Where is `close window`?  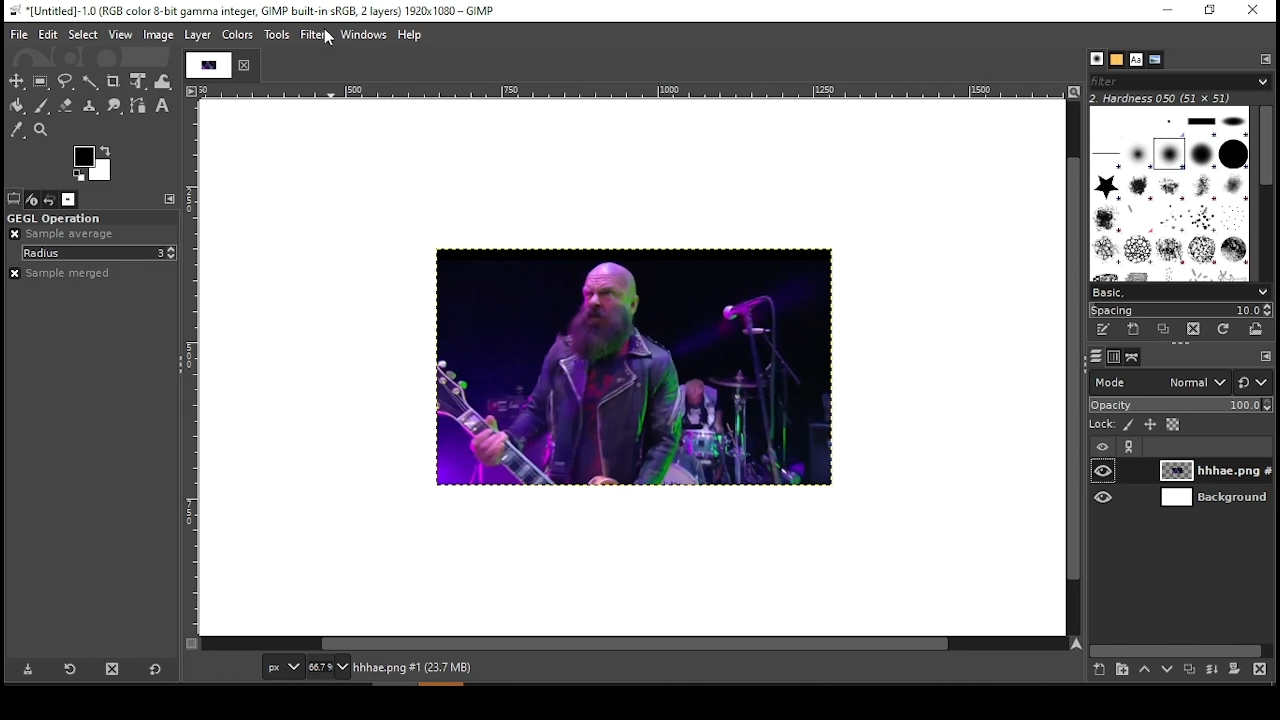 close window is located at coordinates (1254, 11).